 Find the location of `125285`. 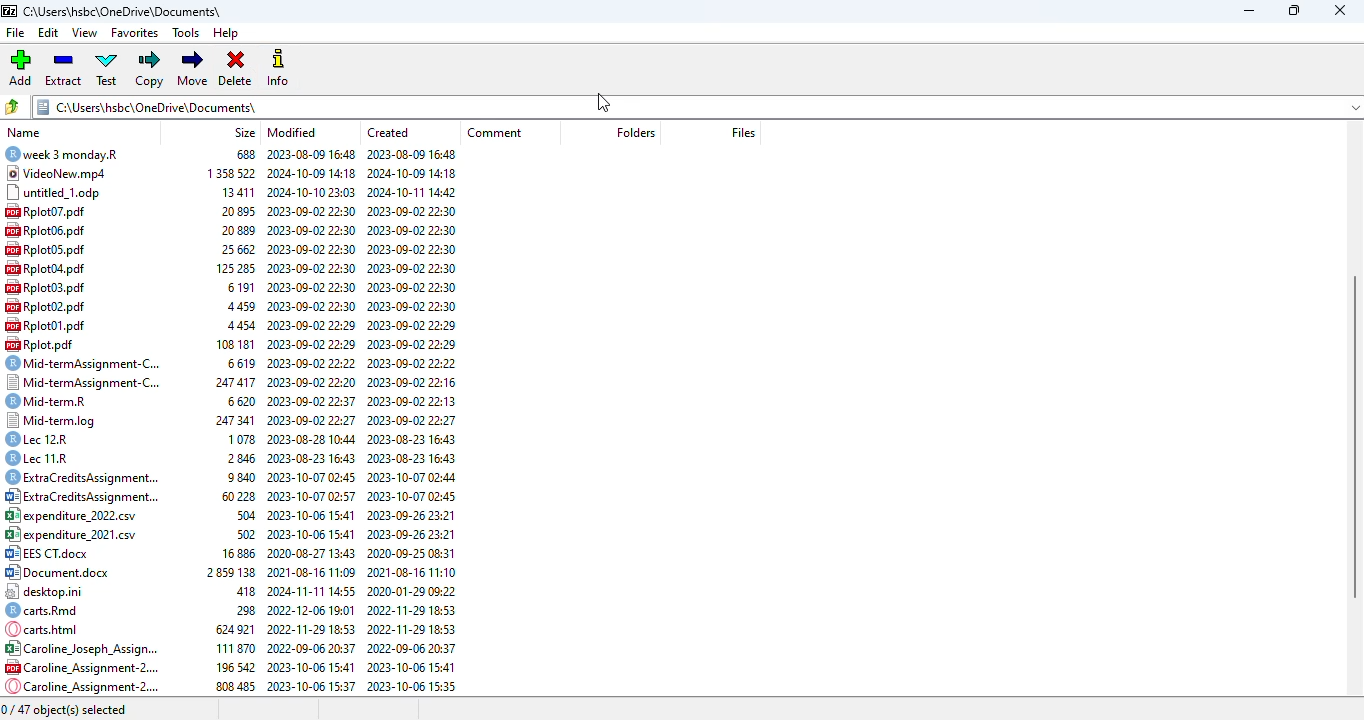

125285 is located at coordinates (236, 268).